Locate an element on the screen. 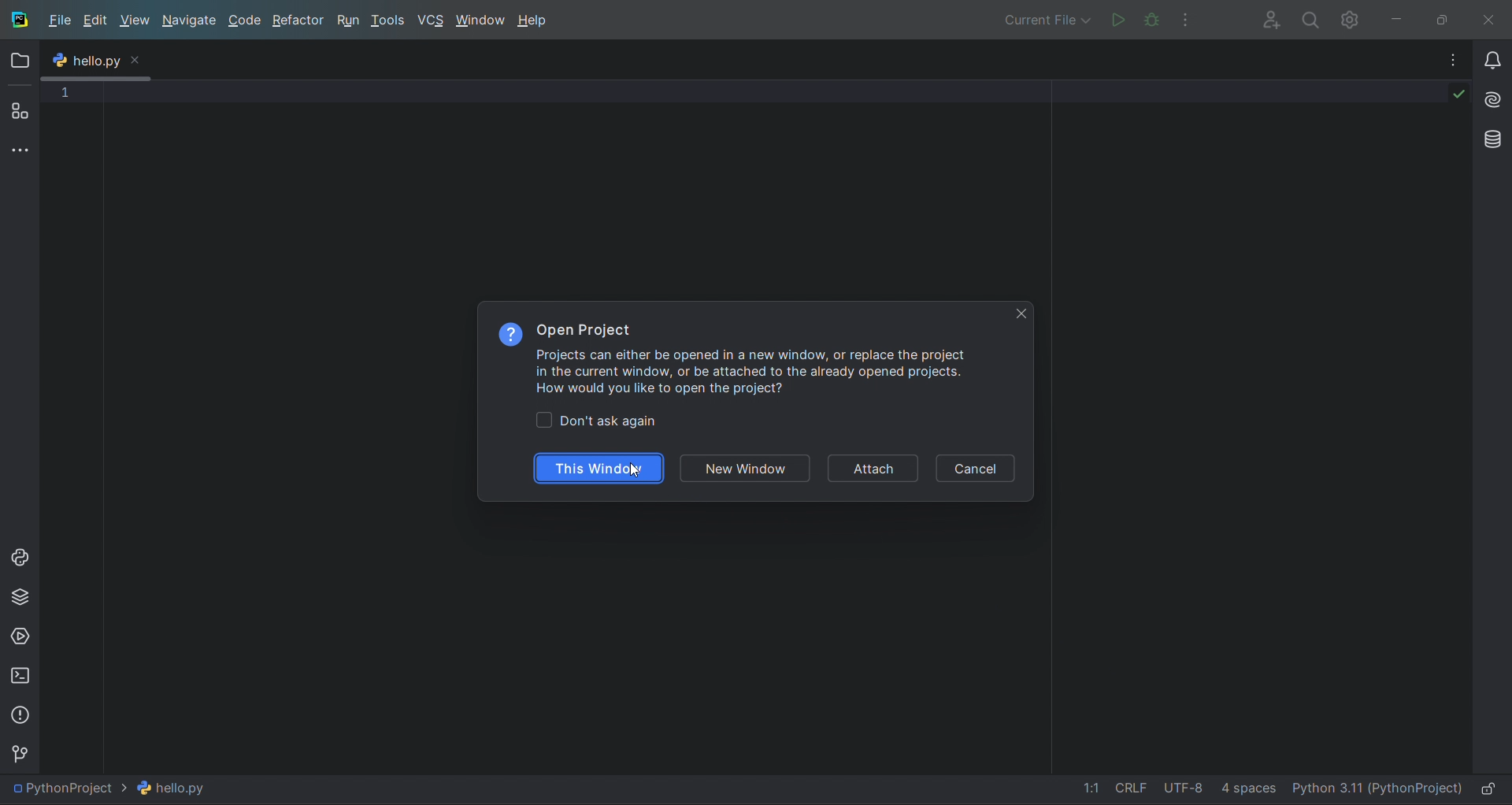 The image size is (1512, 805). database is located at coordinates (1489, 138).